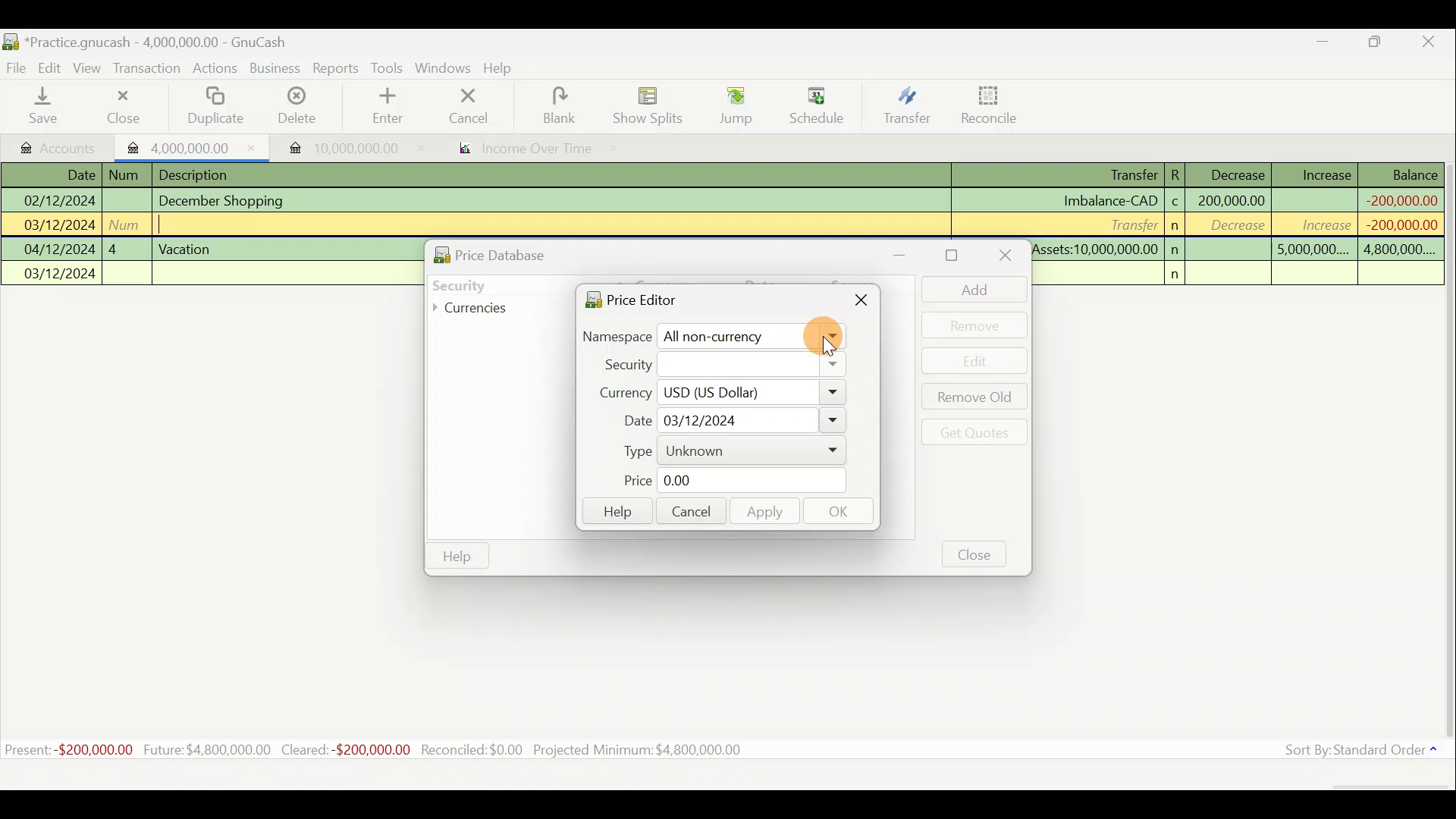  Describe the element at coordinates (975, 554) in the screenshot. I see `Close` at that location.